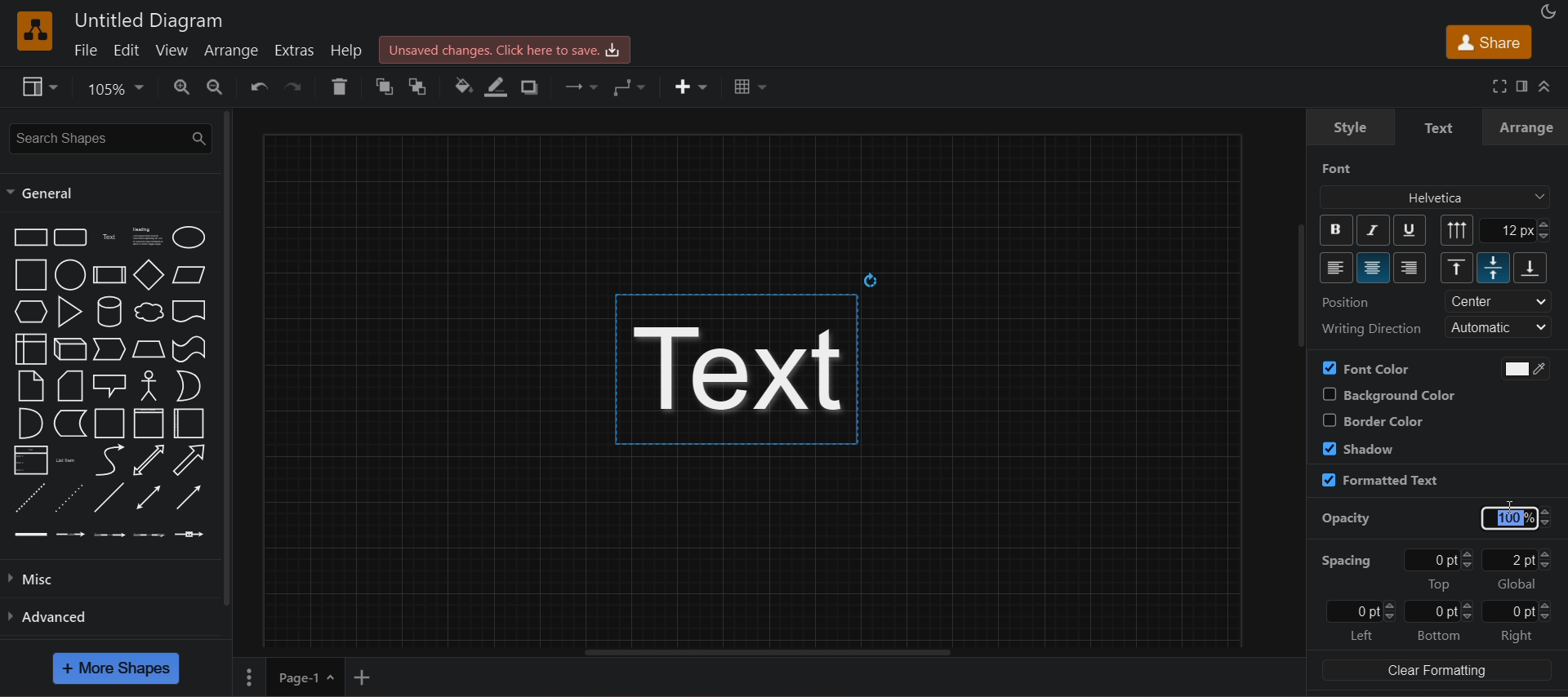  Describe the element at coordinates (229, 51) in the screenshot. I see `arrange` at that location.